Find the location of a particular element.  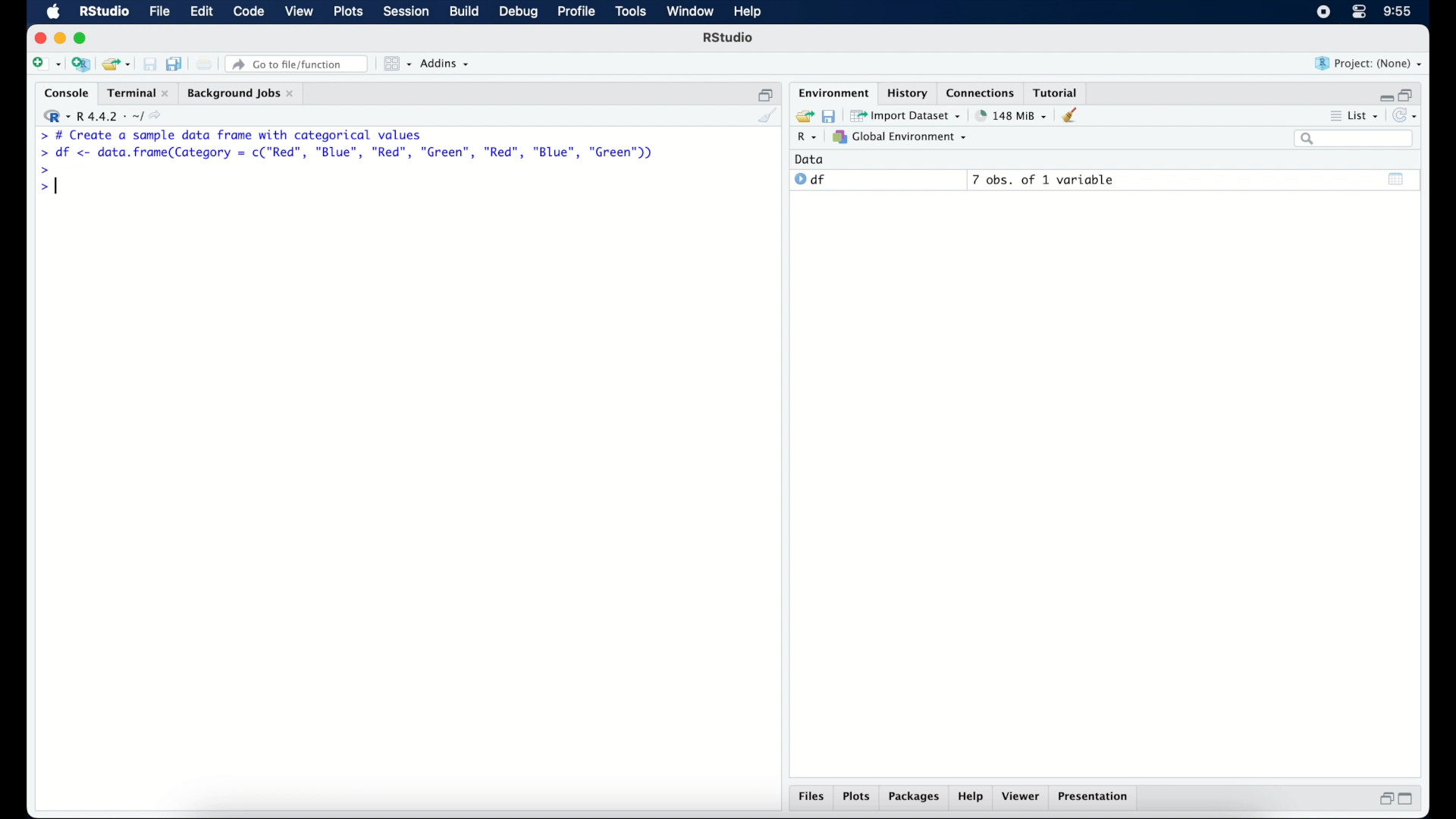

more options is located at coordinates (1333, 115).